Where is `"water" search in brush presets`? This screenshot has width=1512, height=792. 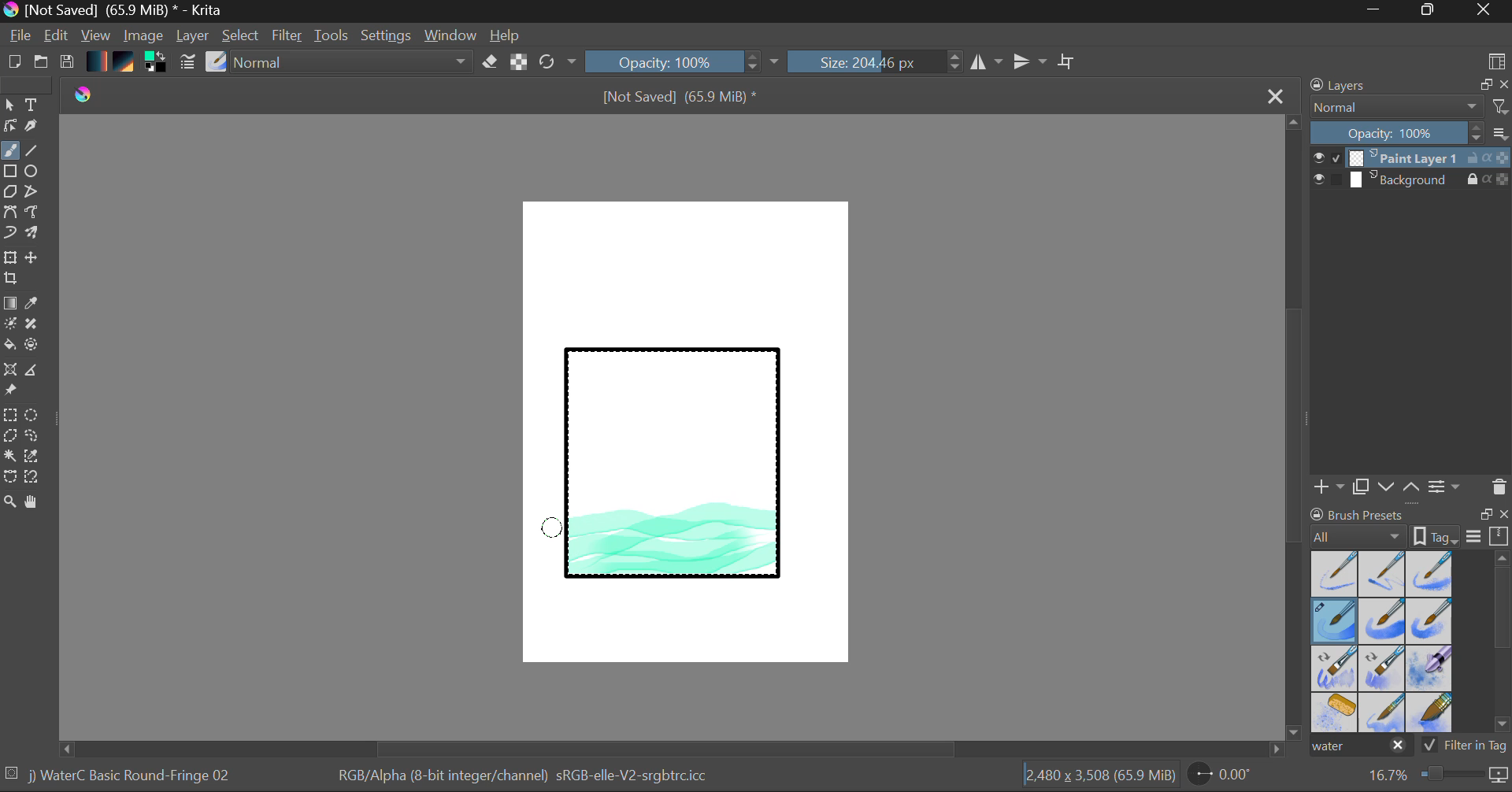 "water" search in brush presets is located at coordinates (1359, 749).